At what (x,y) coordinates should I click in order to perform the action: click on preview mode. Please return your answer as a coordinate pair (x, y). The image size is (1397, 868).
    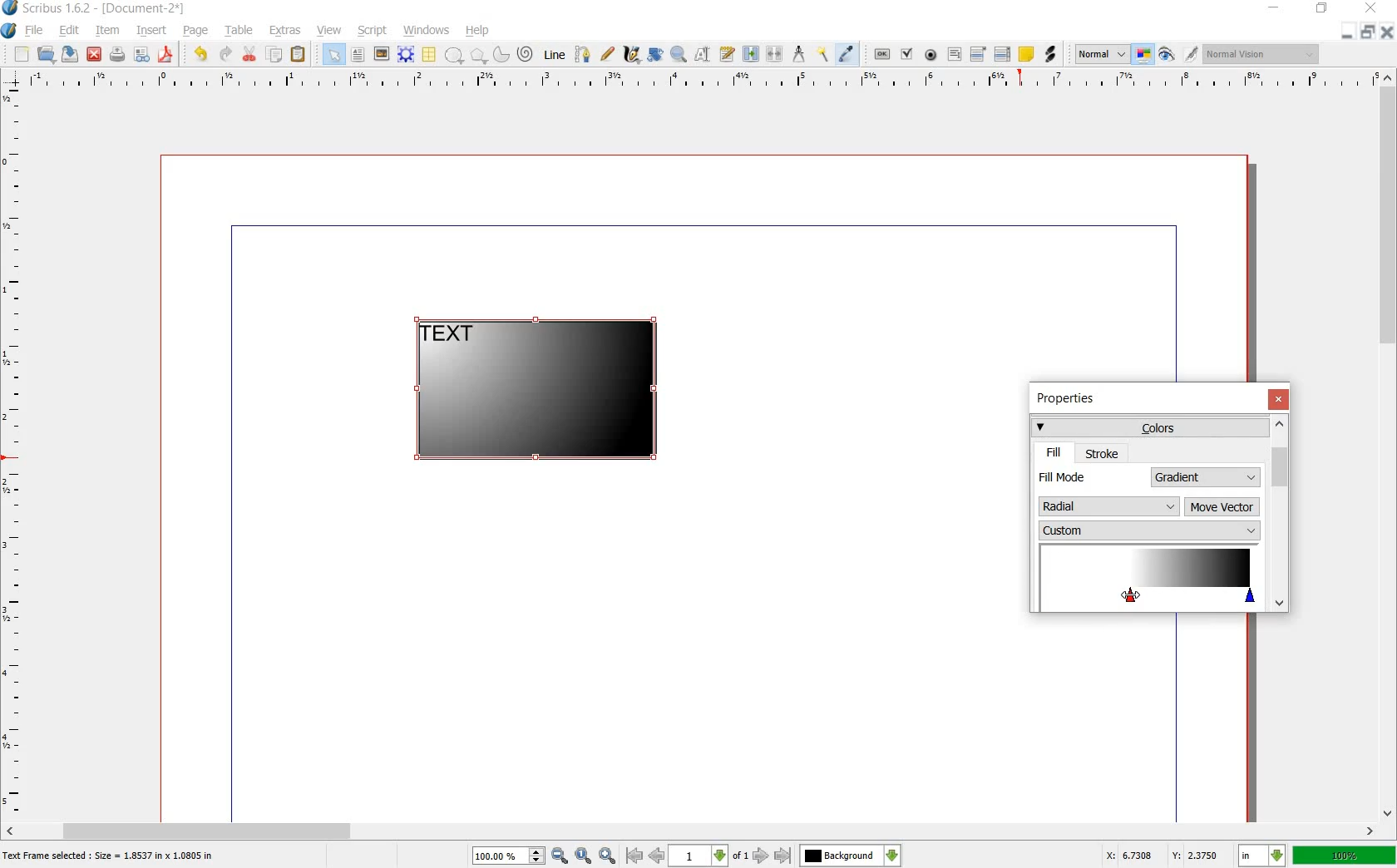
    Looking at the image, I should click on (1167, 54).